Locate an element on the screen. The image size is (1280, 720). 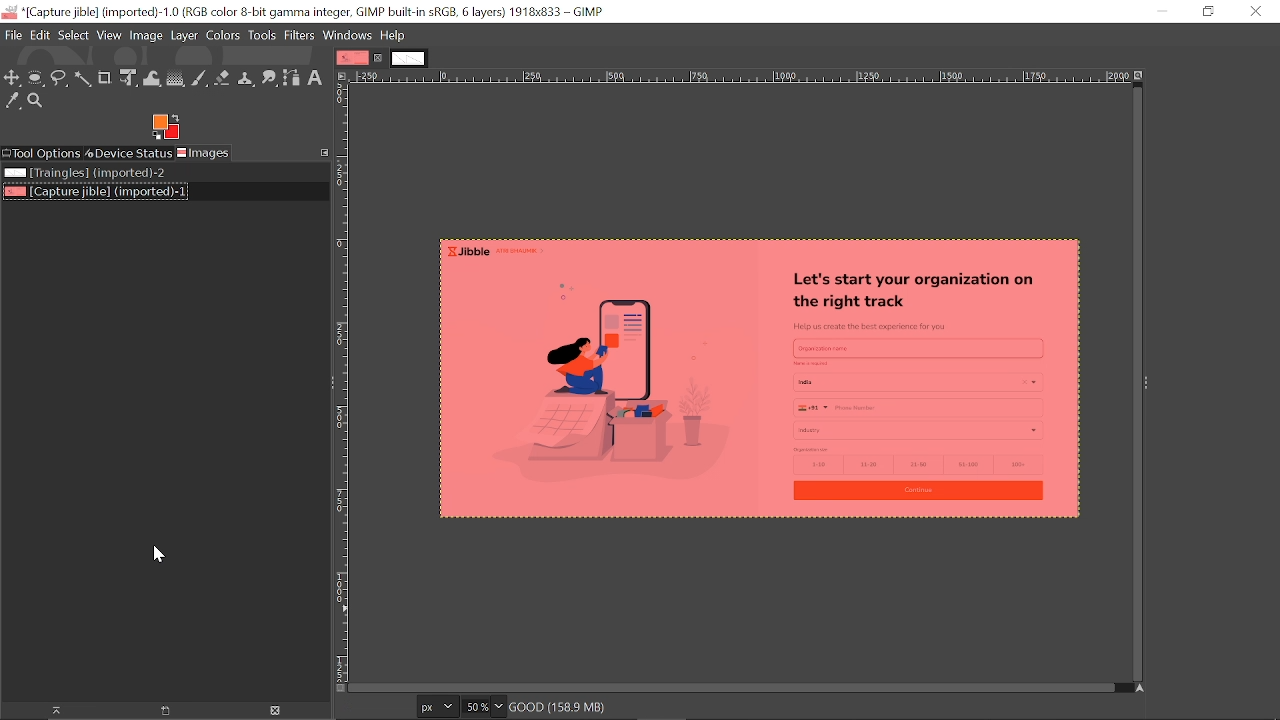
Other tab is located at coordinates (408, 59).